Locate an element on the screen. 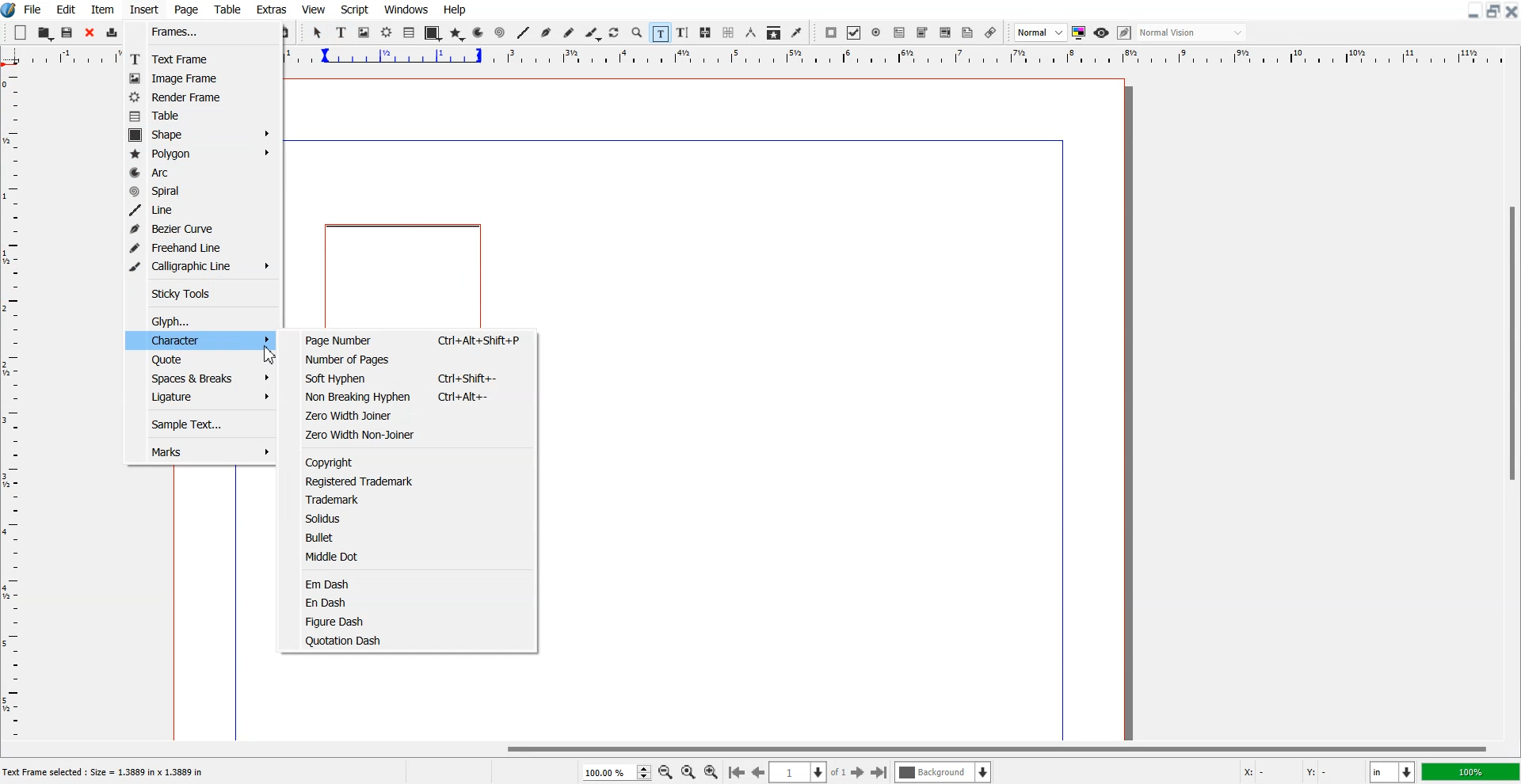  Freehand Line is located at coordinates (200, 247).